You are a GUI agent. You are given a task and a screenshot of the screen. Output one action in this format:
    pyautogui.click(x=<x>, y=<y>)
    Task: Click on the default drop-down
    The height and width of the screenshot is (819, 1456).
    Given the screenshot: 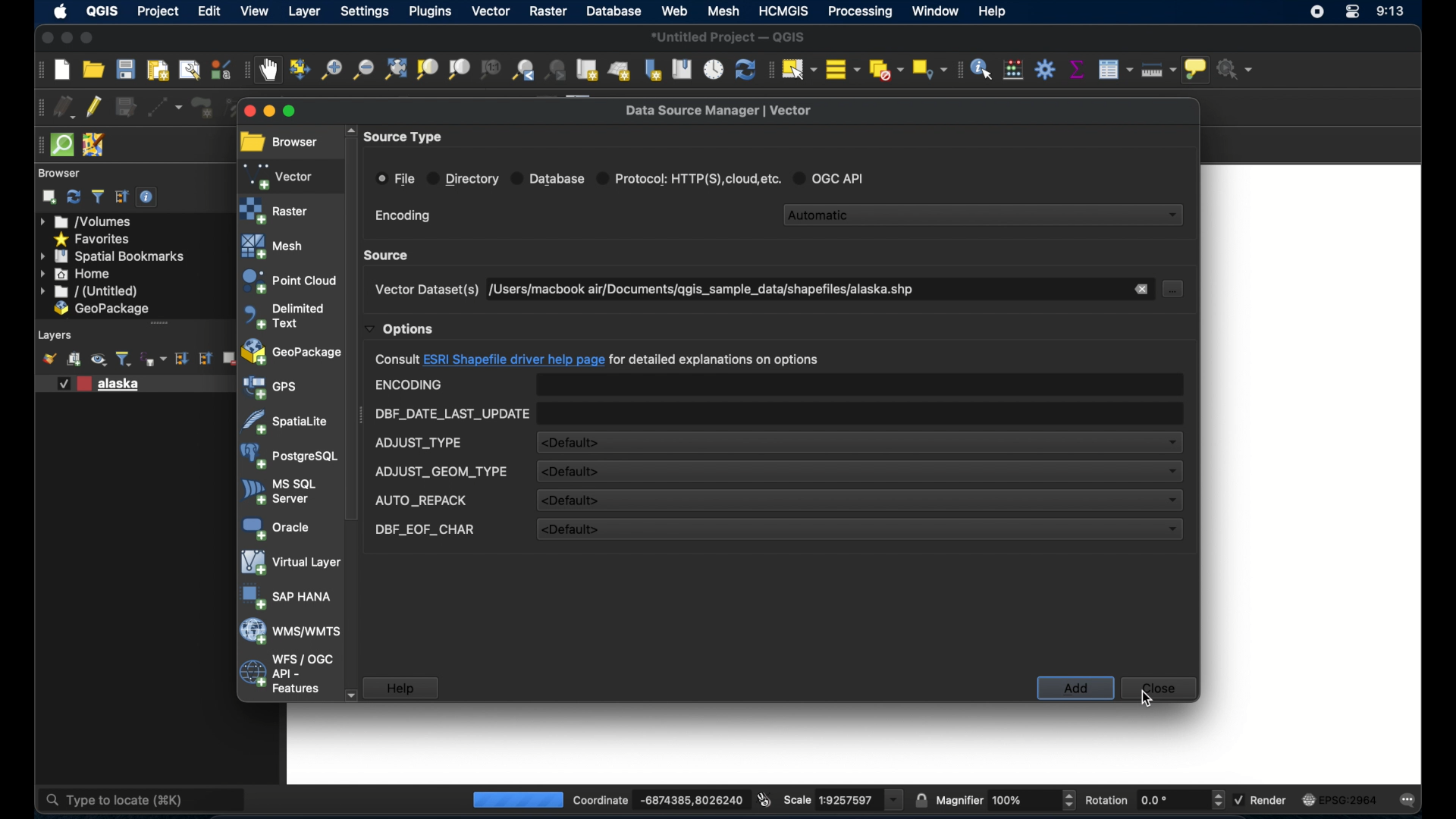 What is the action you would take?
    pyautogui.click(x=859, y=500)
    